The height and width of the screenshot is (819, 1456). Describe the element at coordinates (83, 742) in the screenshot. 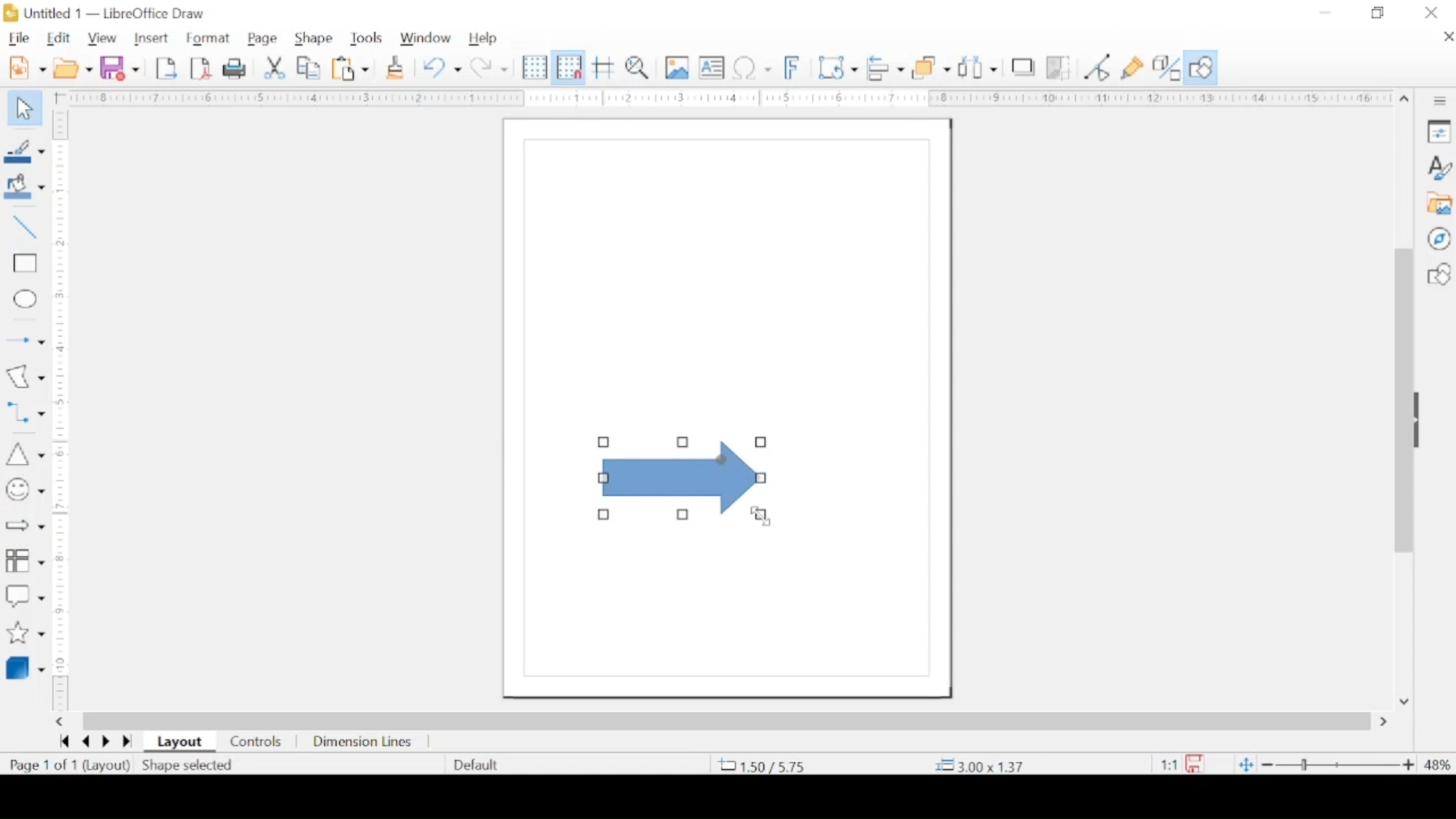

I see `previous` at that location.